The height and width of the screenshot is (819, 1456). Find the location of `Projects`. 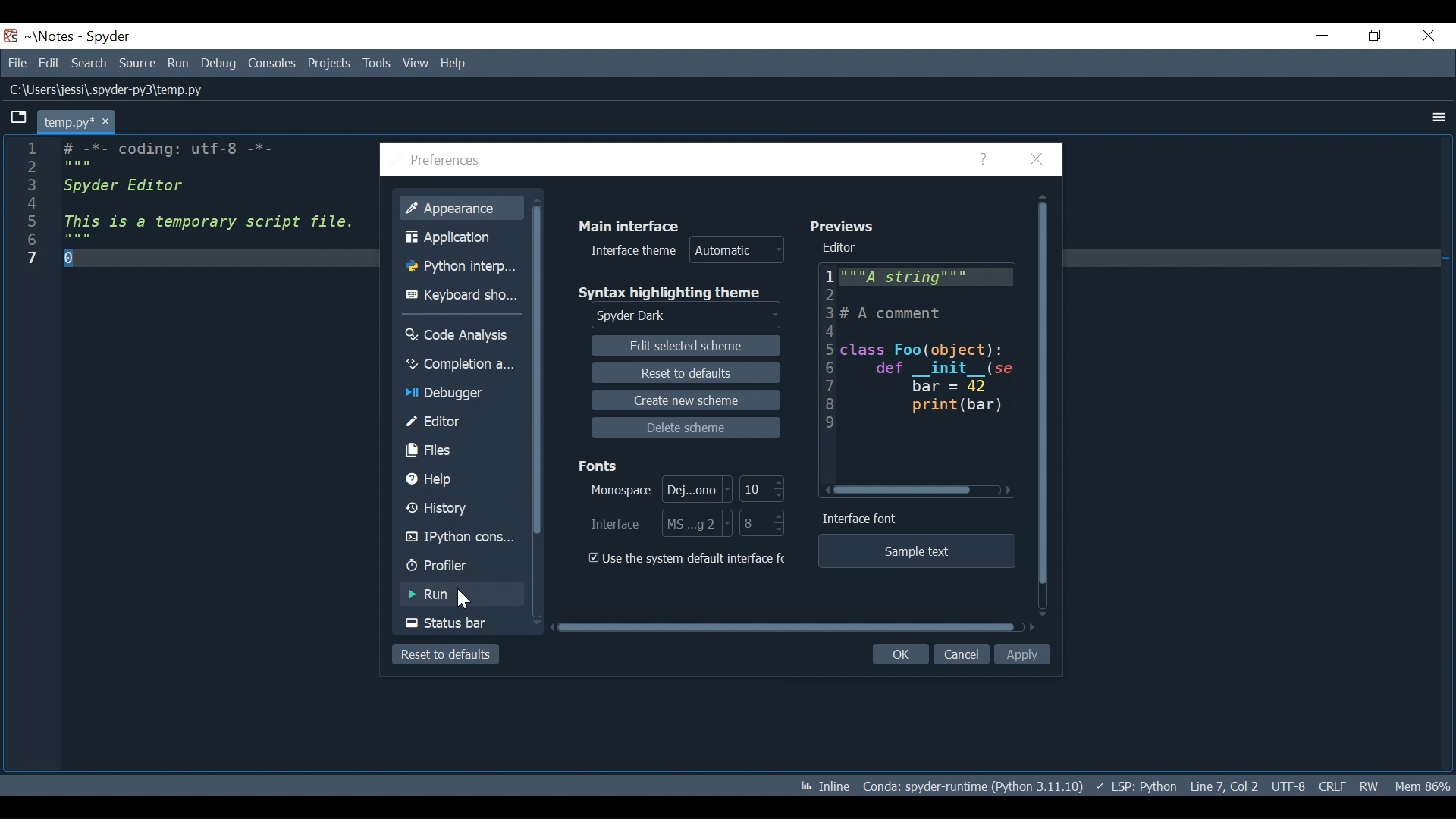

Projects is located at coordinates (328, 64).